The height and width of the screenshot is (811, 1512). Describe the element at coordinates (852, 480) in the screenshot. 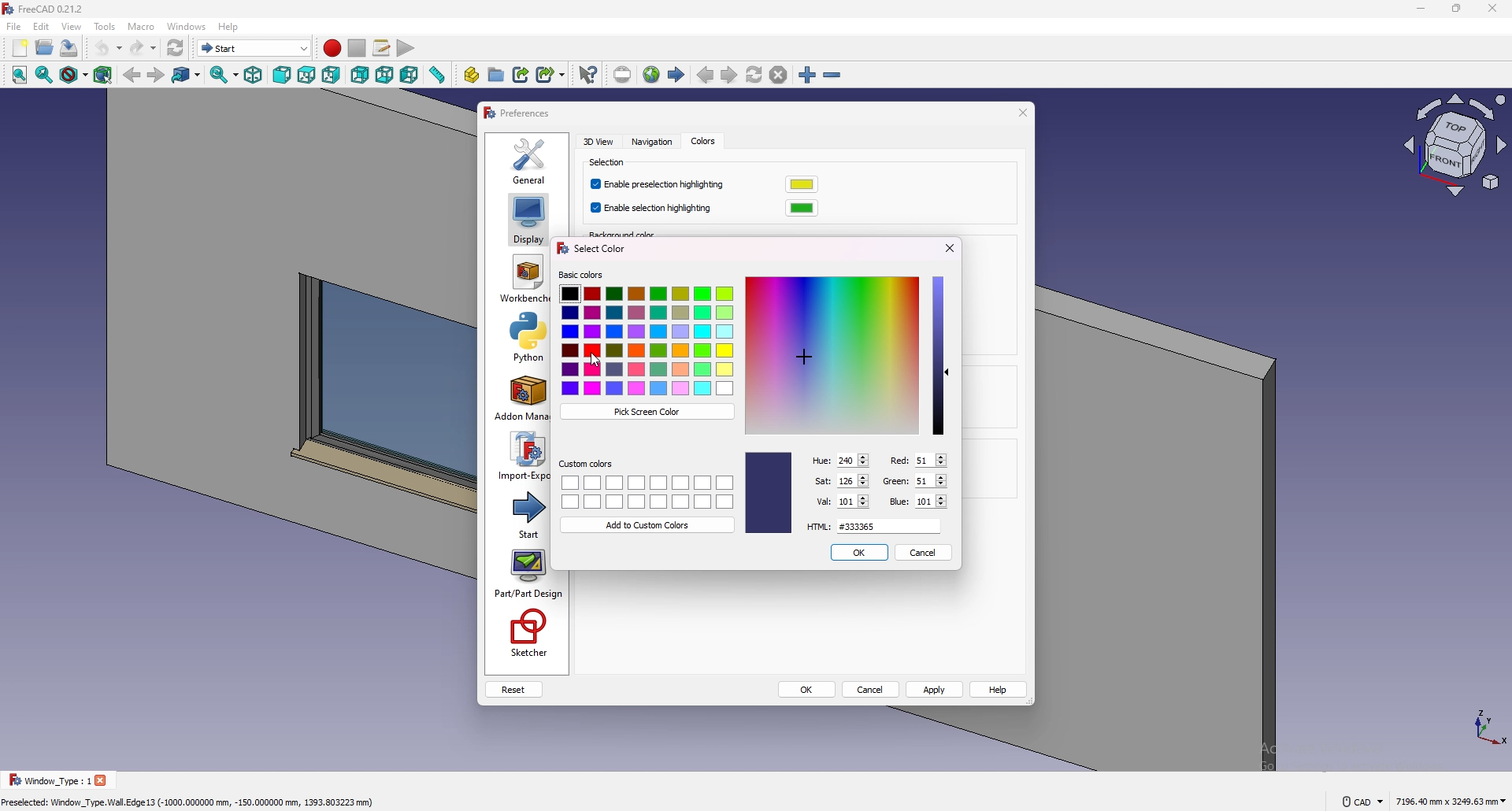

I see `126 ` at that location.